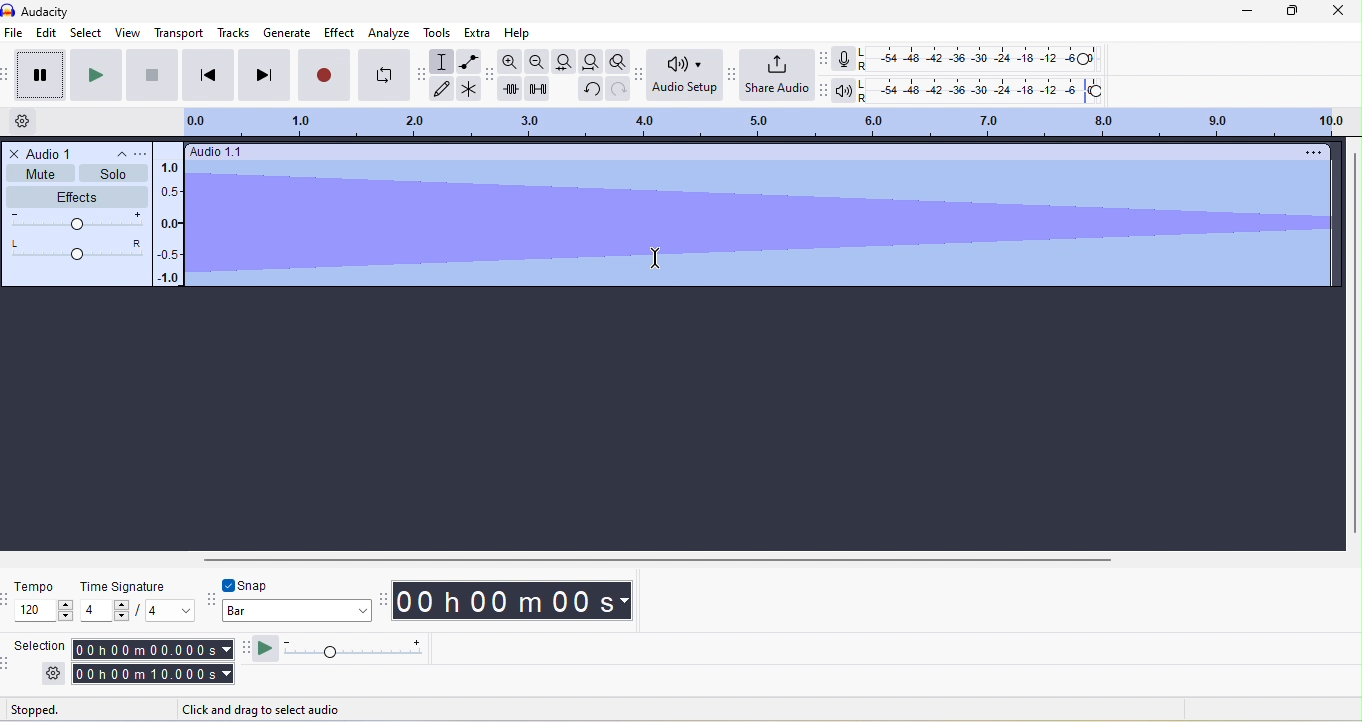 Image resolution: width=1362 pixels, height=722 pixels. What do you see at coordinates (657, 258) in the screenshot?
I see `cursor` at bounding box center [657, 258].